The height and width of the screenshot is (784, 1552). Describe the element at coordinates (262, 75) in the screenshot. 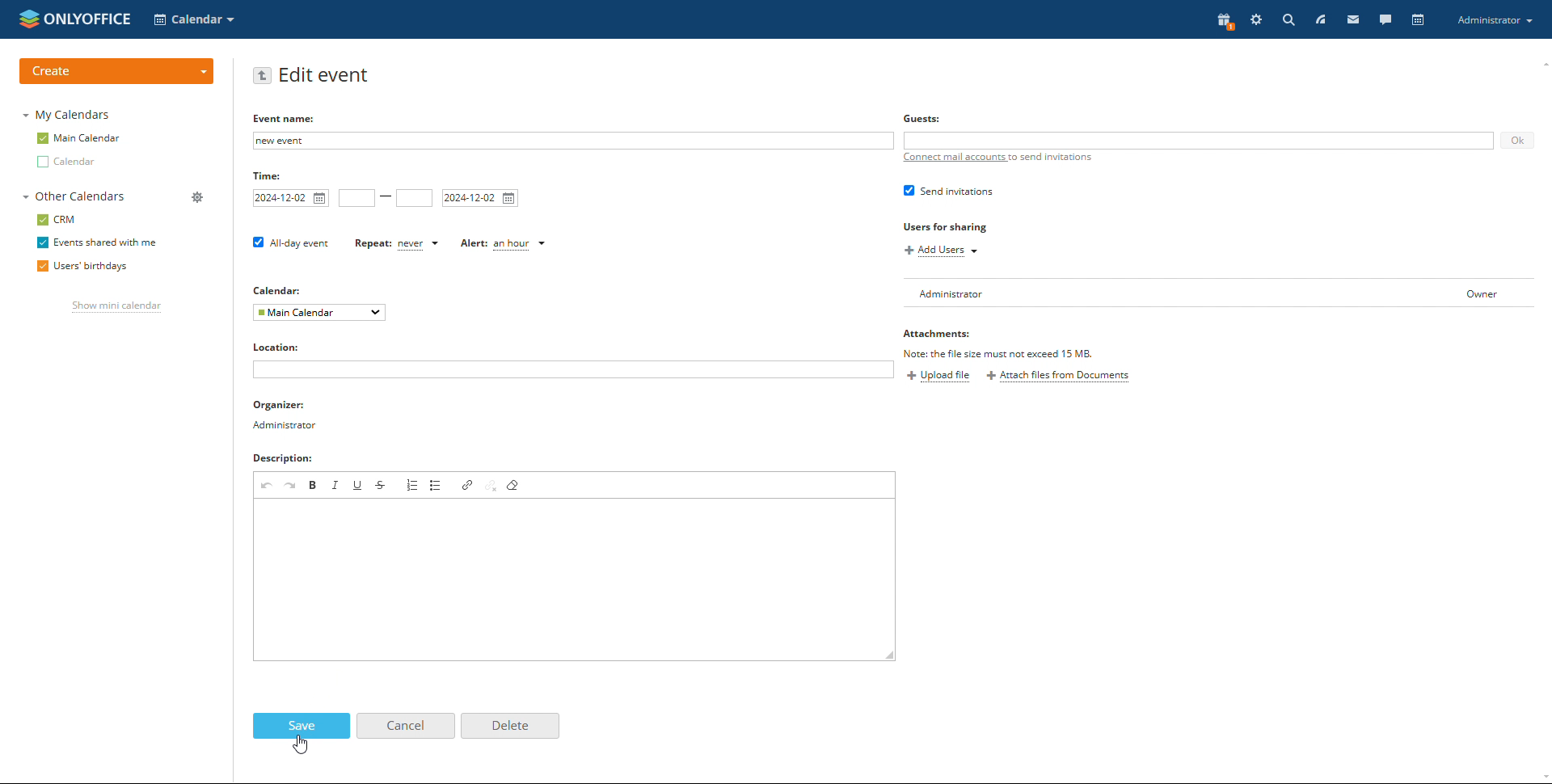

I see `go back` at that location.